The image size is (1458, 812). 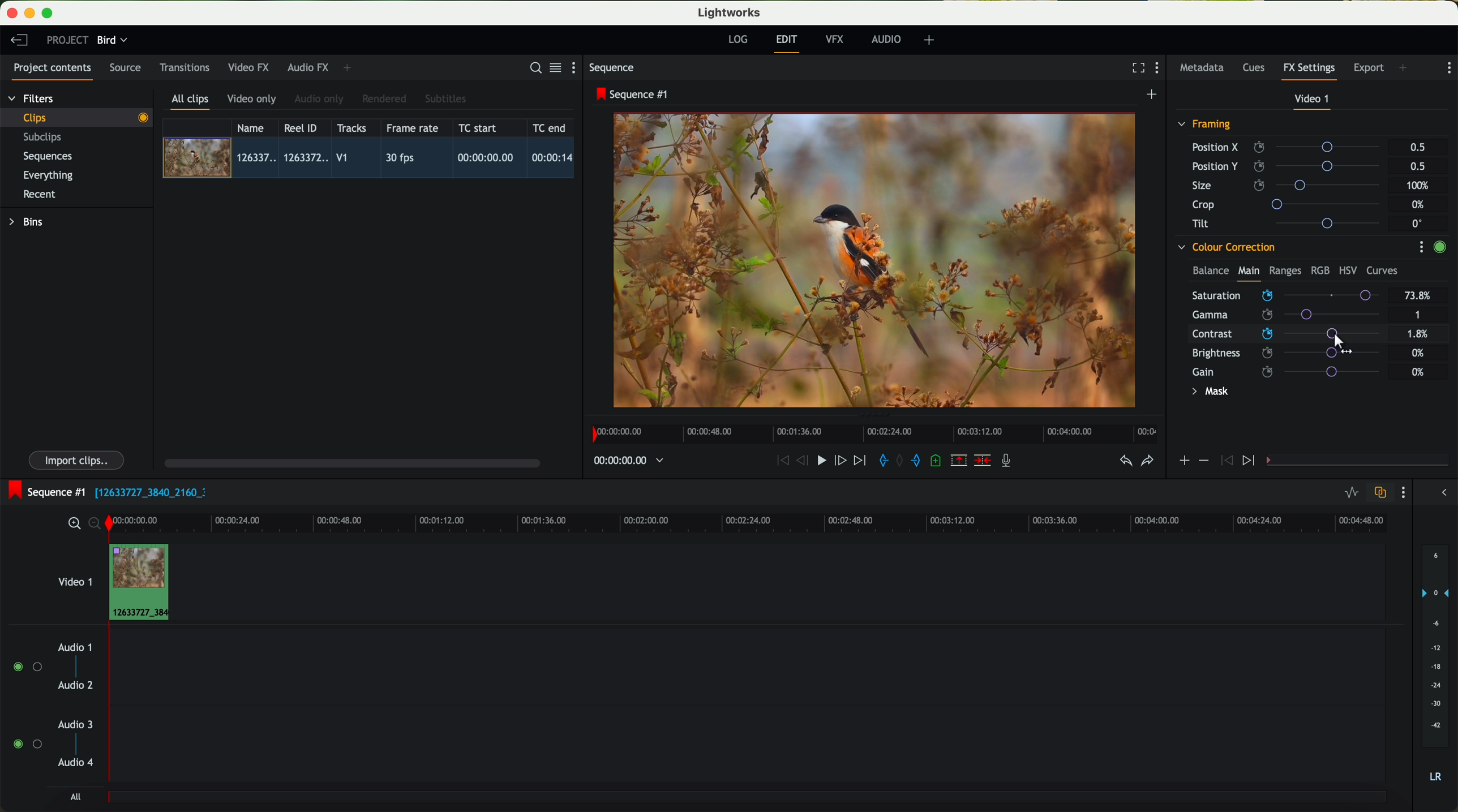 What do you see at coordinates (1319, 269) in the screenshot?
I see `RGB` at bounding box center [1319, 269].